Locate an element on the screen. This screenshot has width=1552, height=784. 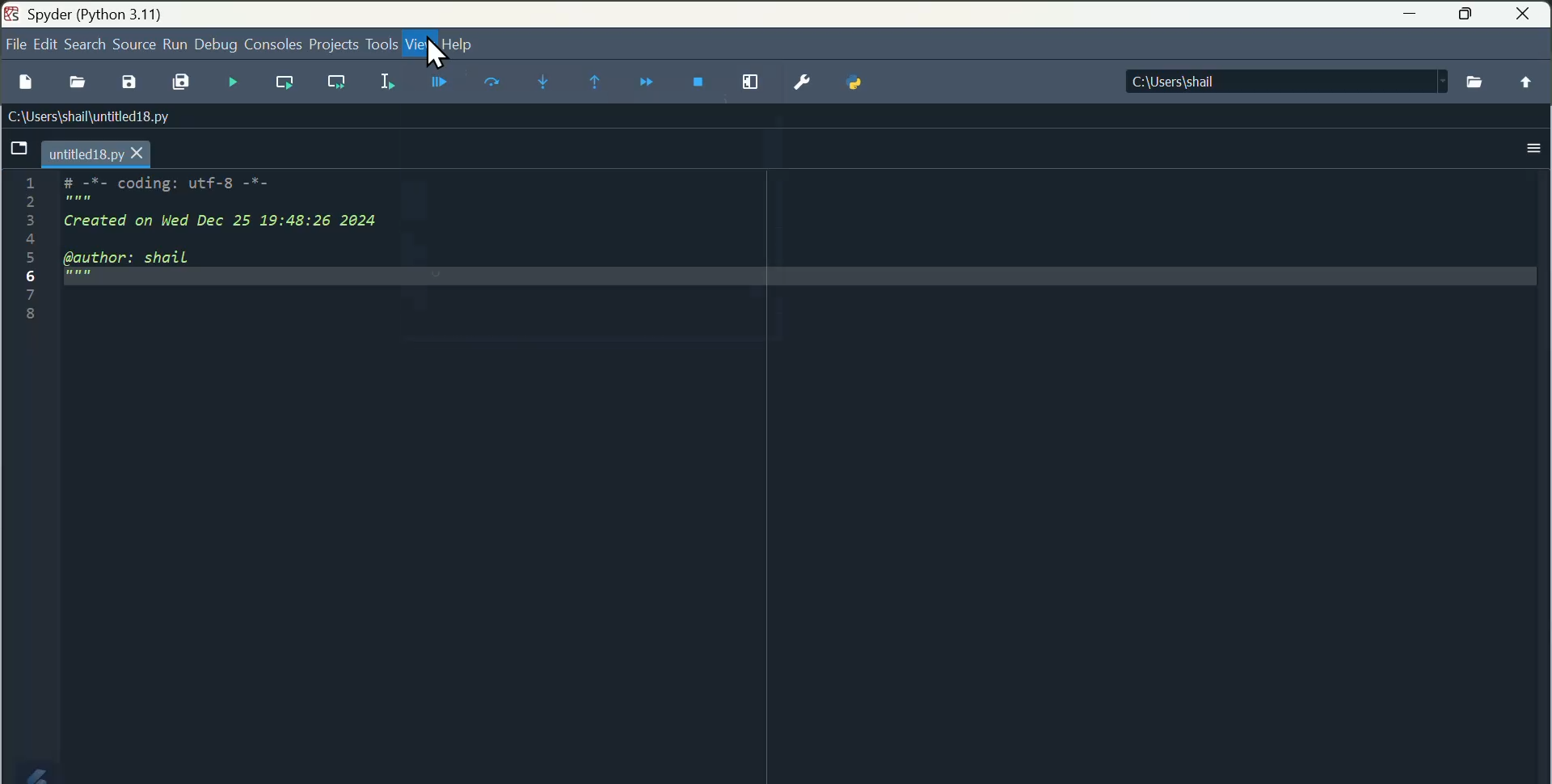
Save all files is located at coordinates (183, 82).